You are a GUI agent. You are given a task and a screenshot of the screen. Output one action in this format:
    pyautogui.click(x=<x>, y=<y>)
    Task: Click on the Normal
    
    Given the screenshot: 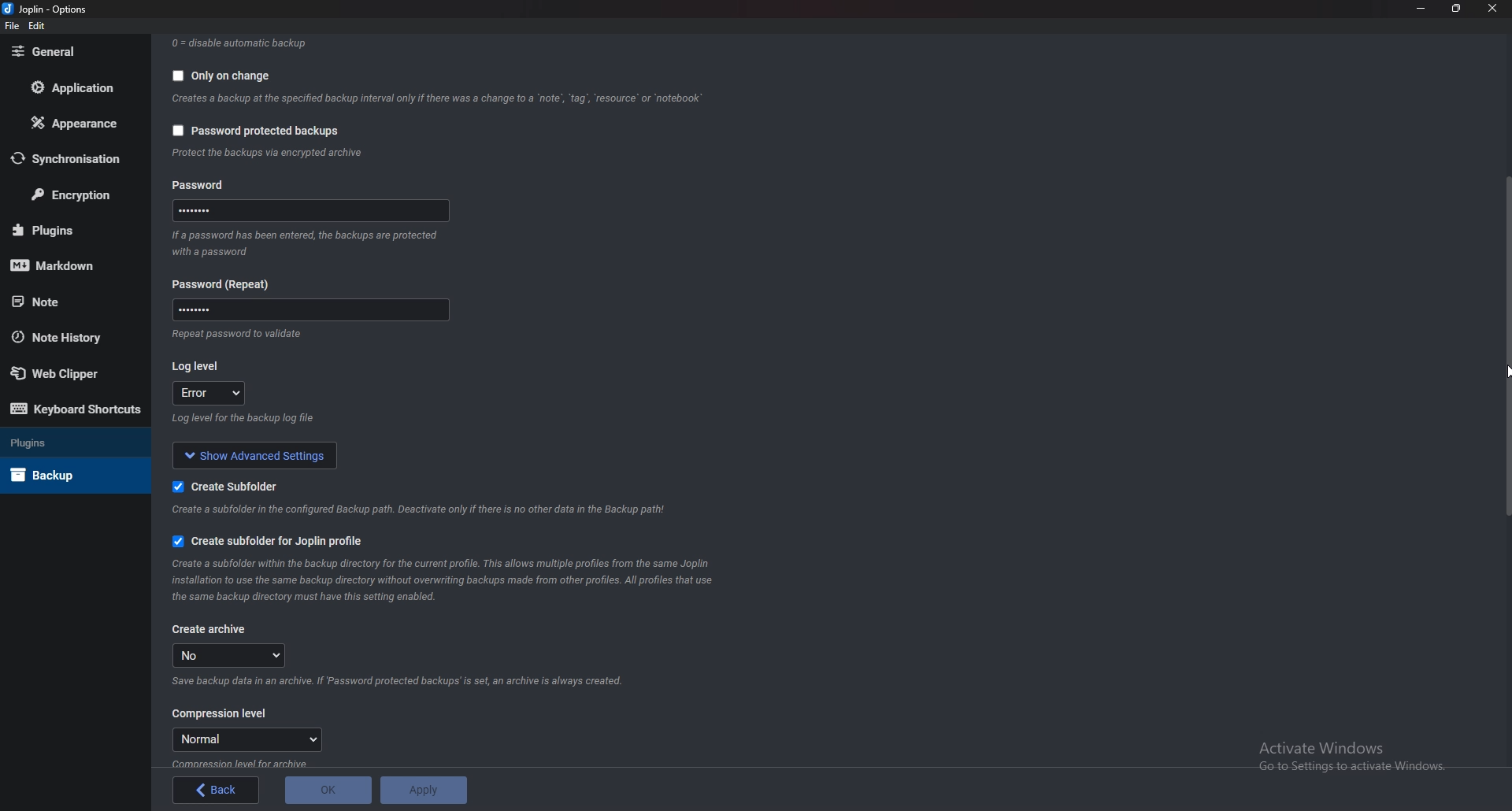 What is the action you would take?
    pyautogui.click(x=246, y=740)
    